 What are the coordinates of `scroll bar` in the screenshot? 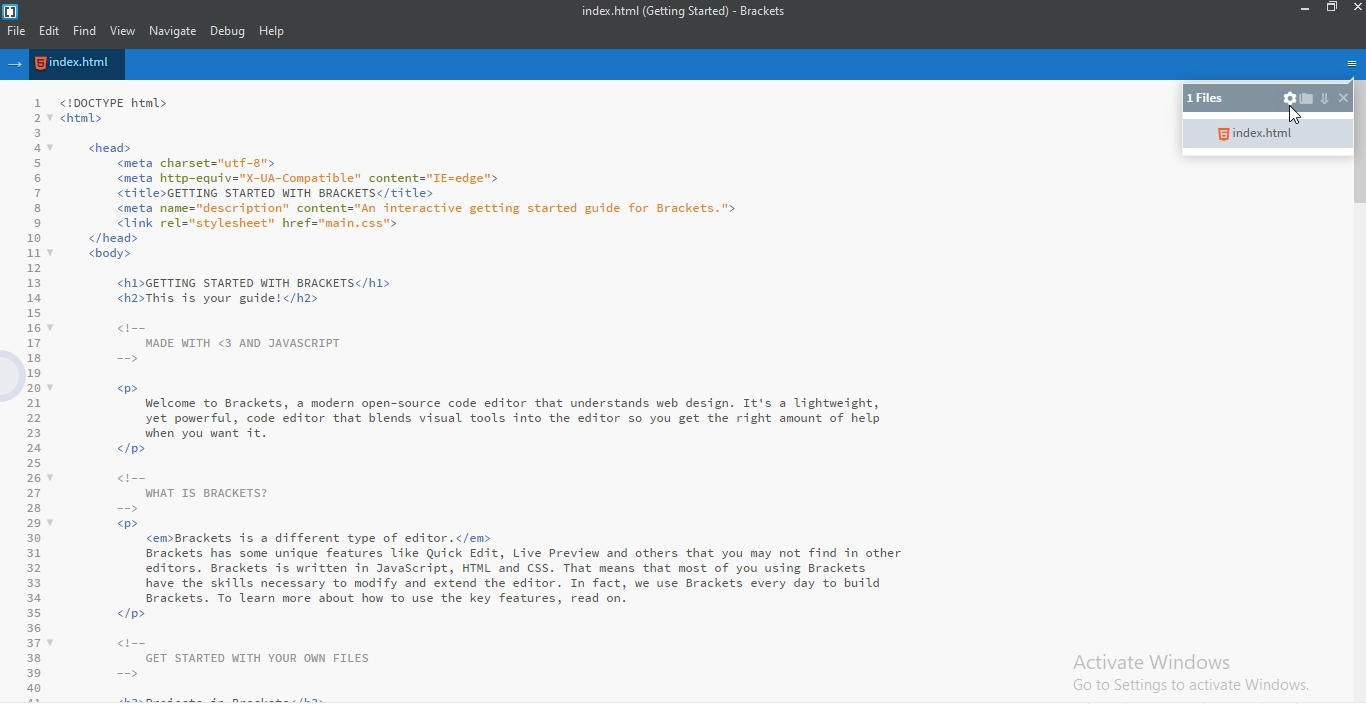 It's located at (1357, 147).